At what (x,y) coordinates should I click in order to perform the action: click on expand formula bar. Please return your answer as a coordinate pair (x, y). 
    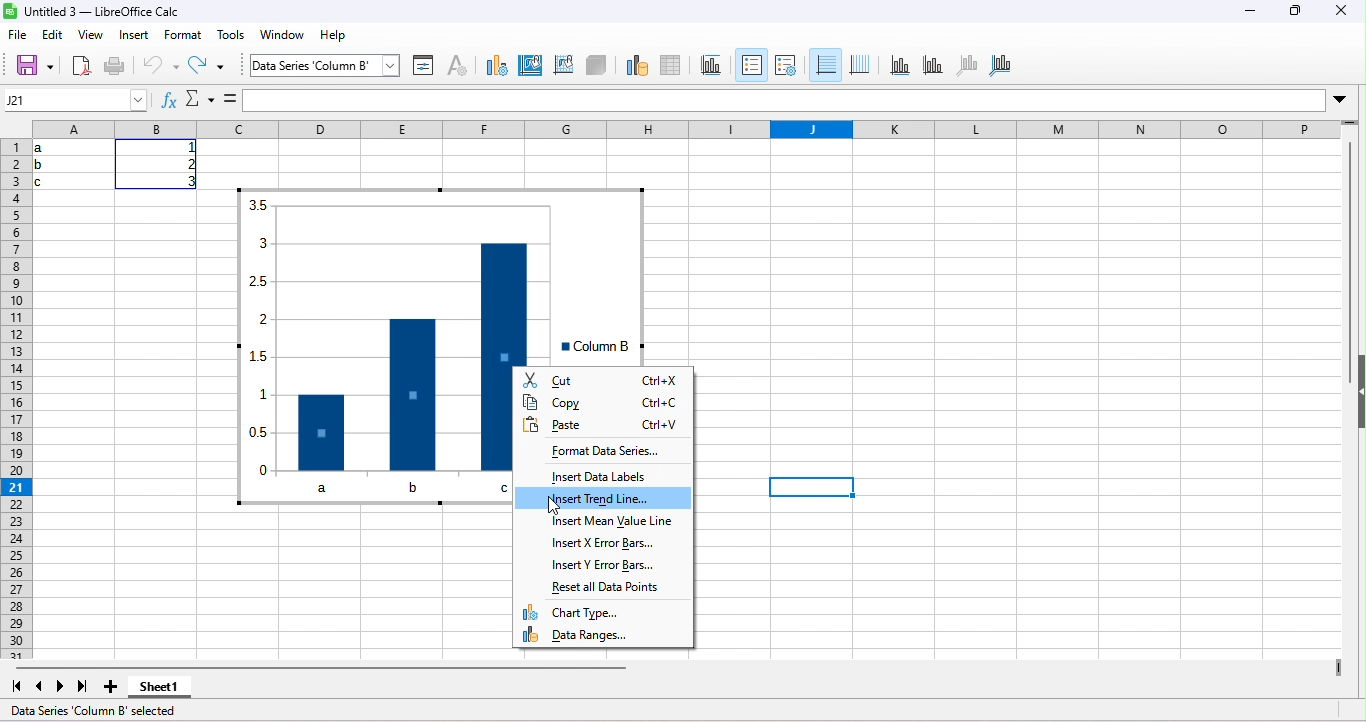
    Looking at the image, I should click on (1346, 98).